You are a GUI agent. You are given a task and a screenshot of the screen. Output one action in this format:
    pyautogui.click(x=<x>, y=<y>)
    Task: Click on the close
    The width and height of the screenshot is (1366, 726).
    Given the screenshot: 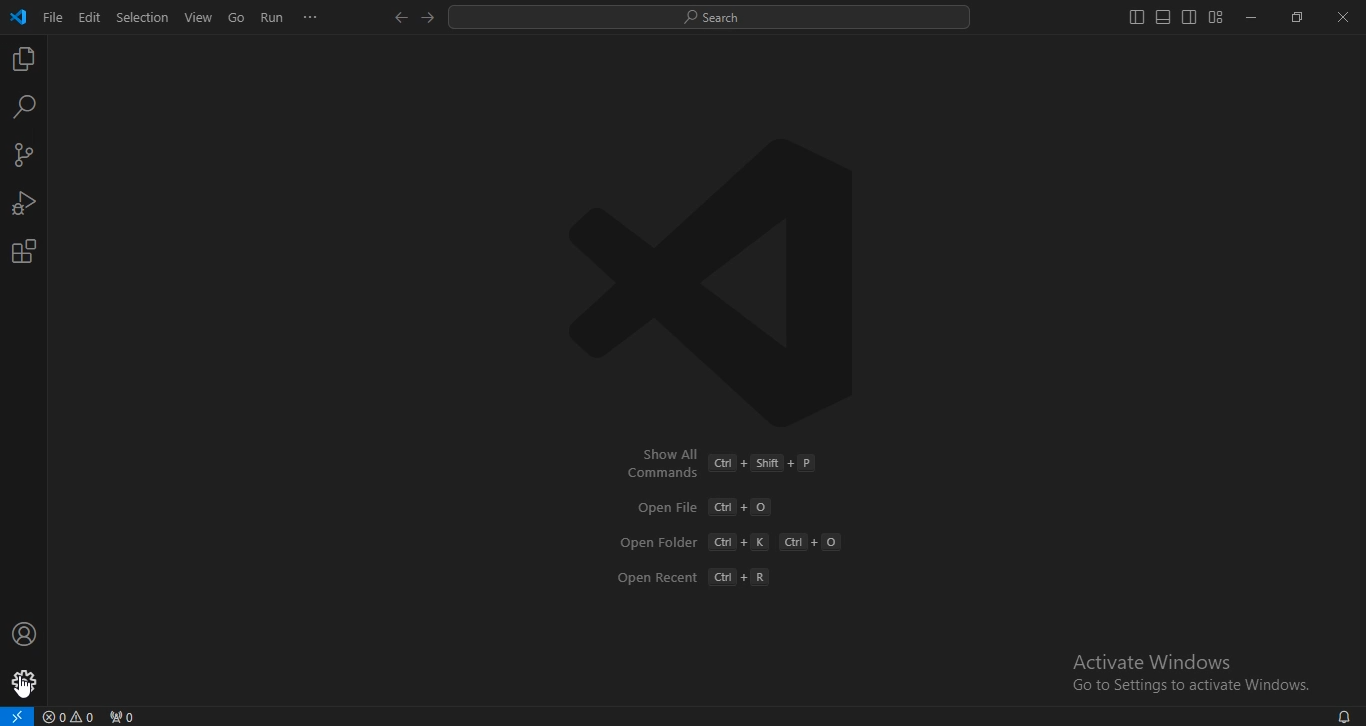 What is the action you would take?
    pyautogui.click(x=1344, y=18)
    